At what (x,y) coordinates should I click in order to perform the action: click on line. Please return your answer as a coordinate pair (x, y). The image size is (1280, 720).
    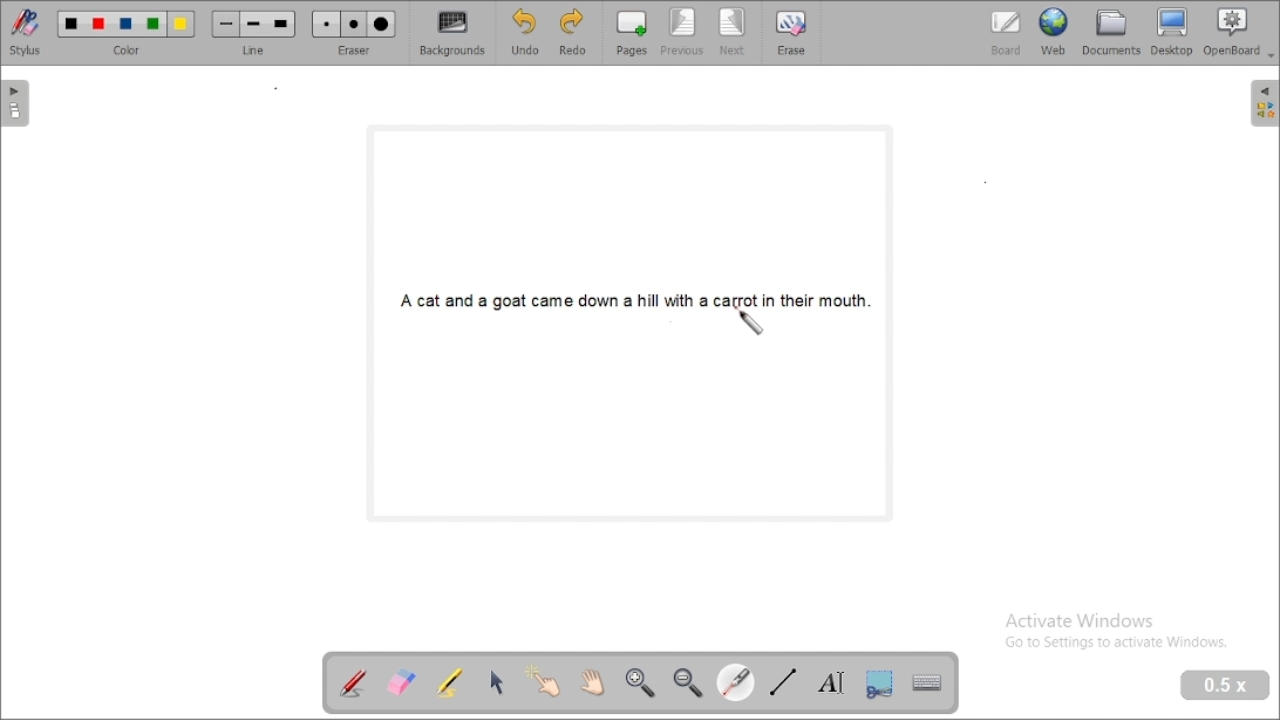
    Looking at the image, I should click on (253, 34).